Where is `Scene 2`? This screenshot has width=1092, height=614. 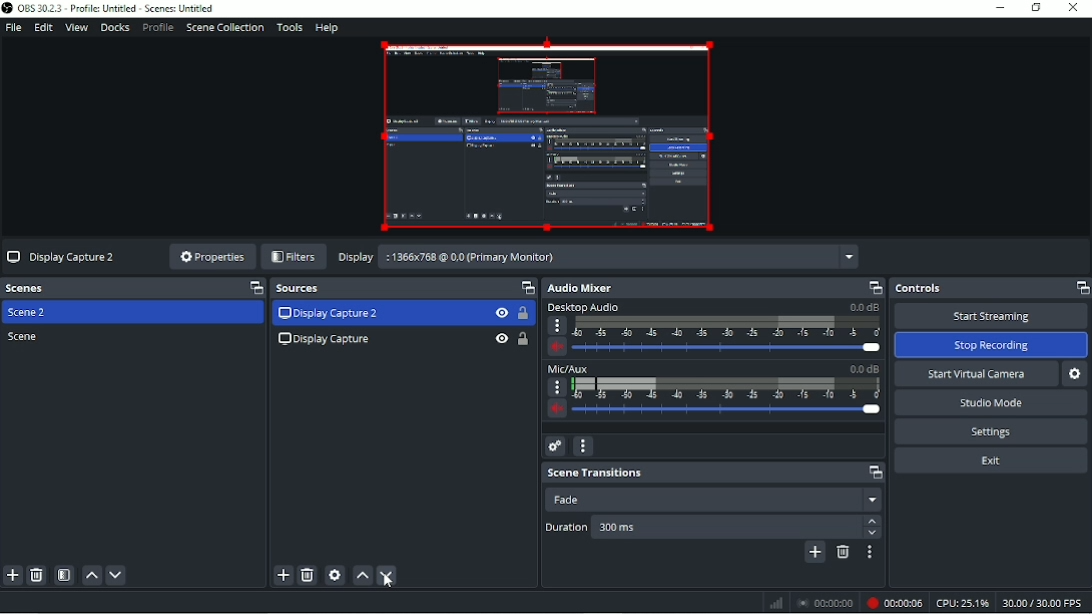
Scene 2 is located at coordinates (31, 313).